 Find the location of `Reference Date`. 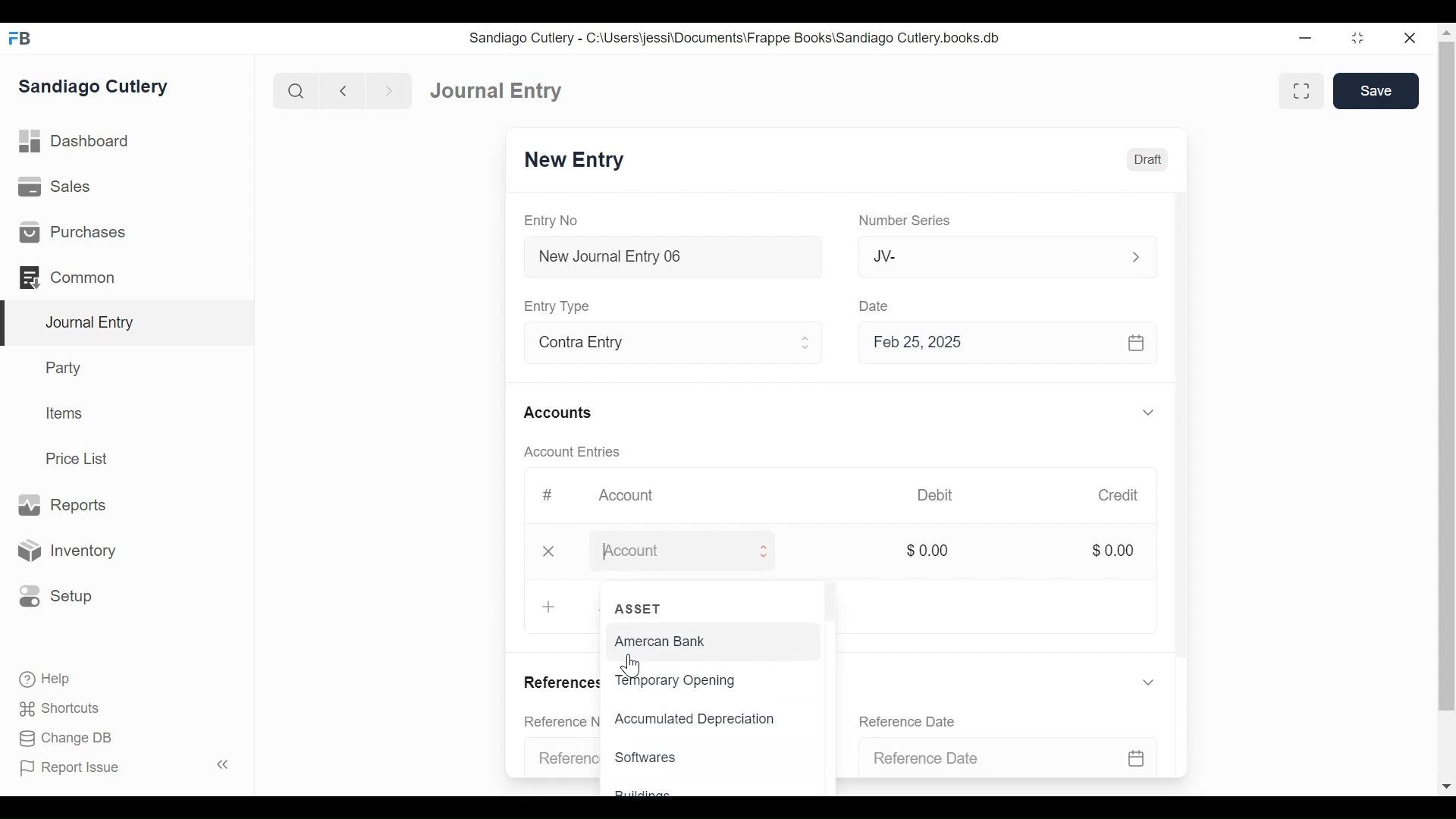

Reference Date is located at coordinates (1004, 756).